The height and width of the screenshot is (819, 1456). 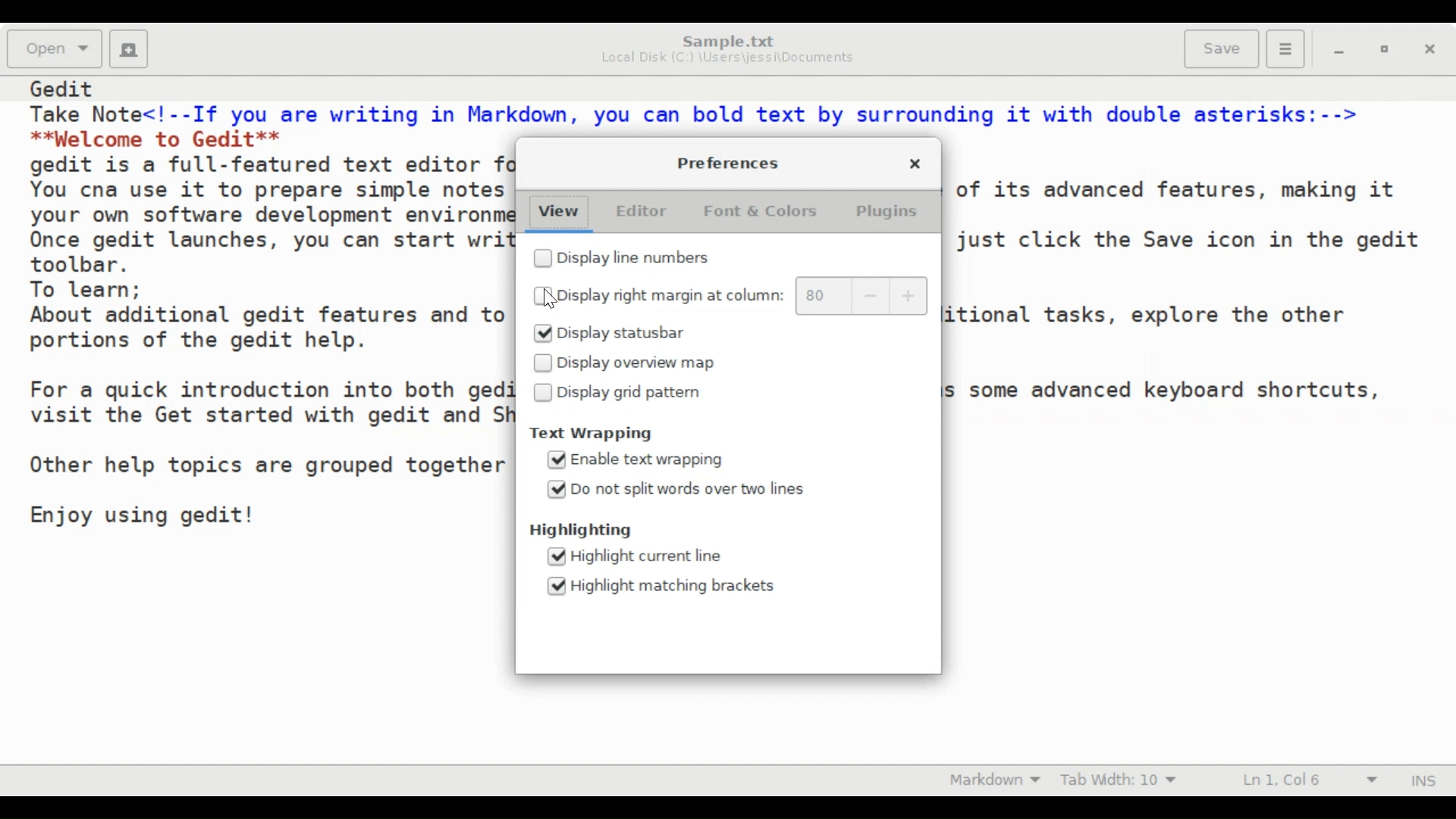 What do you see at coordinates (1301, 782) in the screenshot?
I see `Line & Column Preference (Ln 1, Col 6)` at bounding box center [1301, 782].